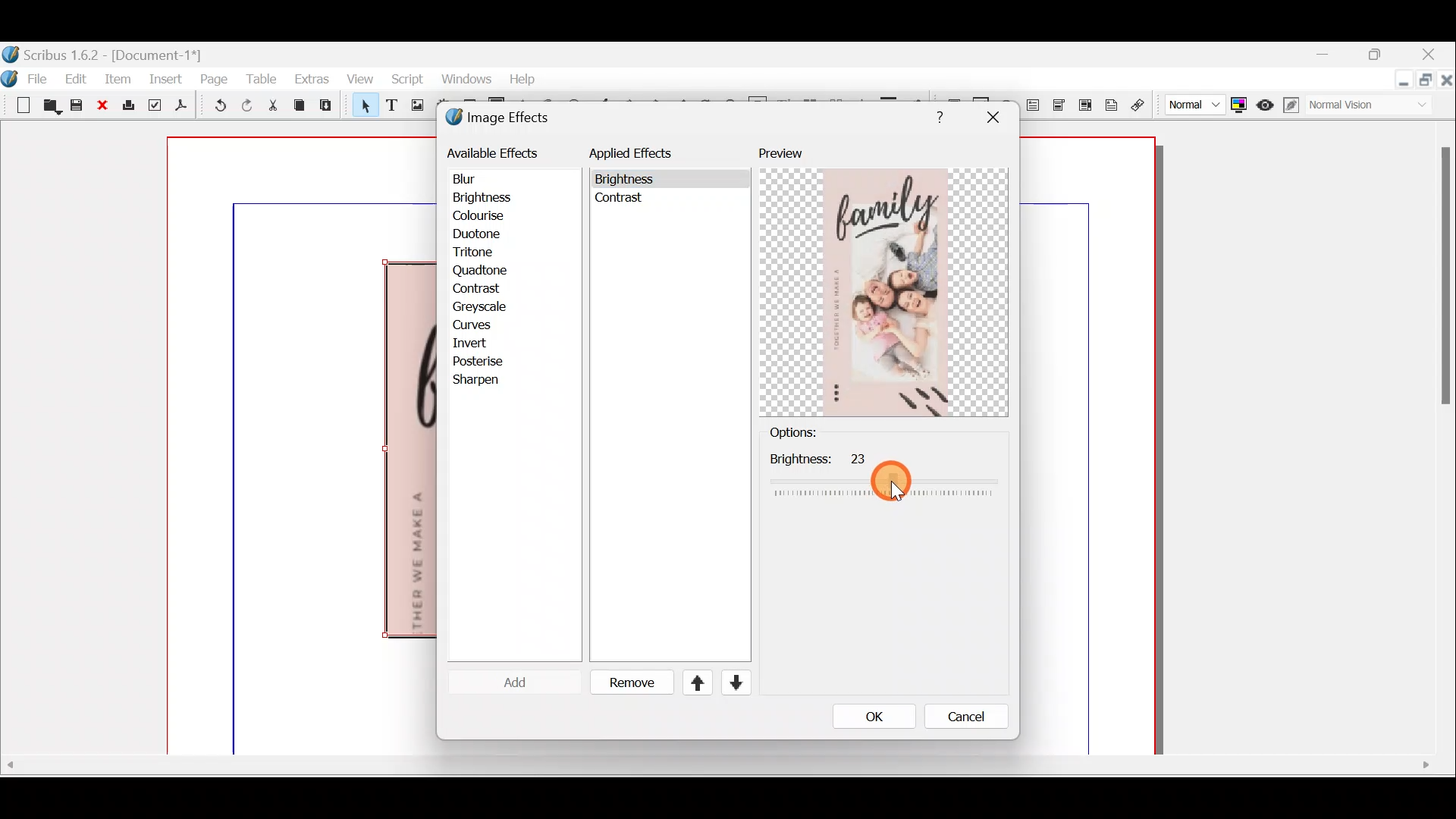 The height and width of the screenshot is (819, 1456). Describe the element at coordinates (1430, 56) in the screenshot. I see `Close` at that location.